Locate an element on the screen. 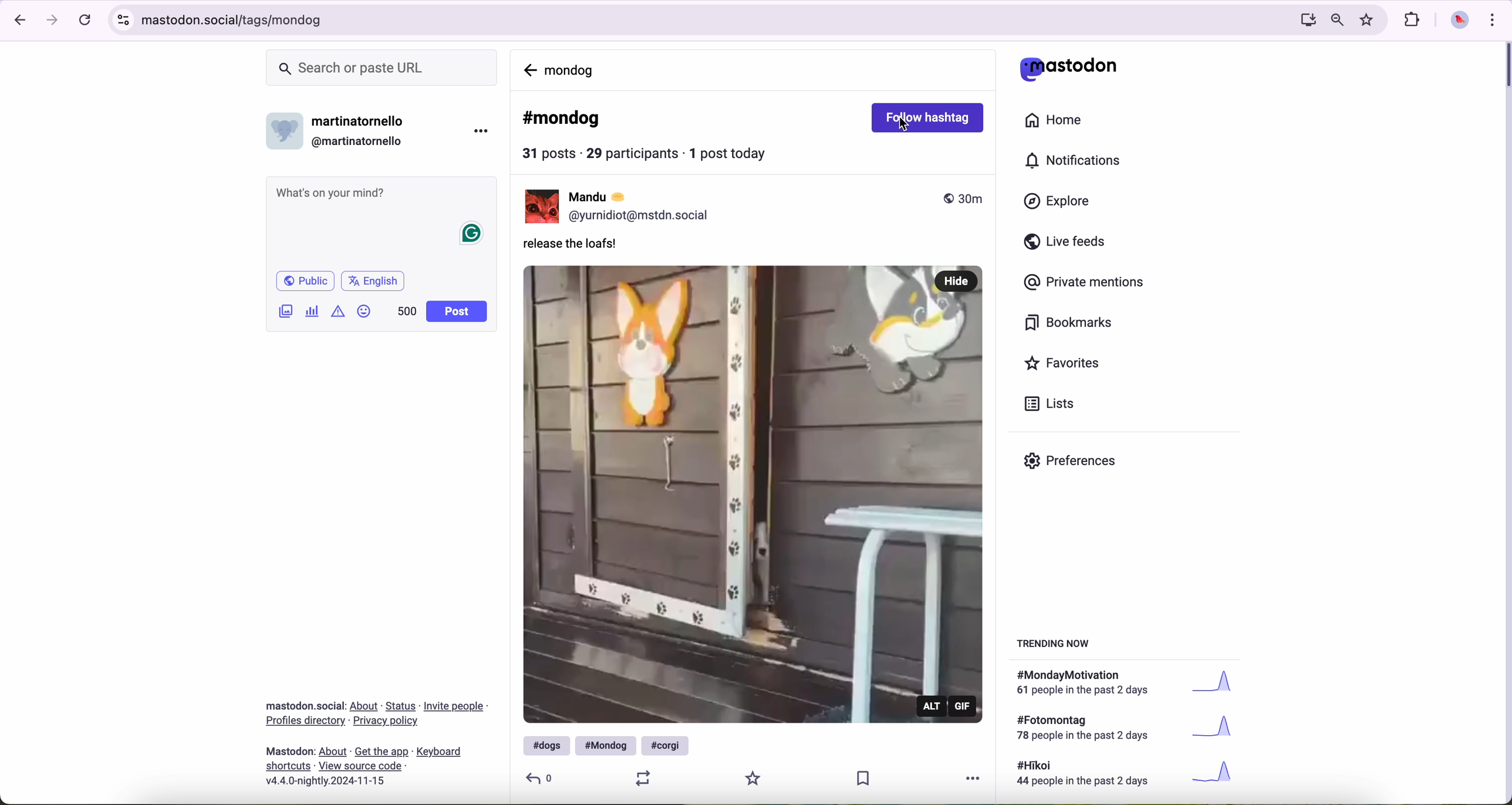  profile is located at coordinates (643, 216).